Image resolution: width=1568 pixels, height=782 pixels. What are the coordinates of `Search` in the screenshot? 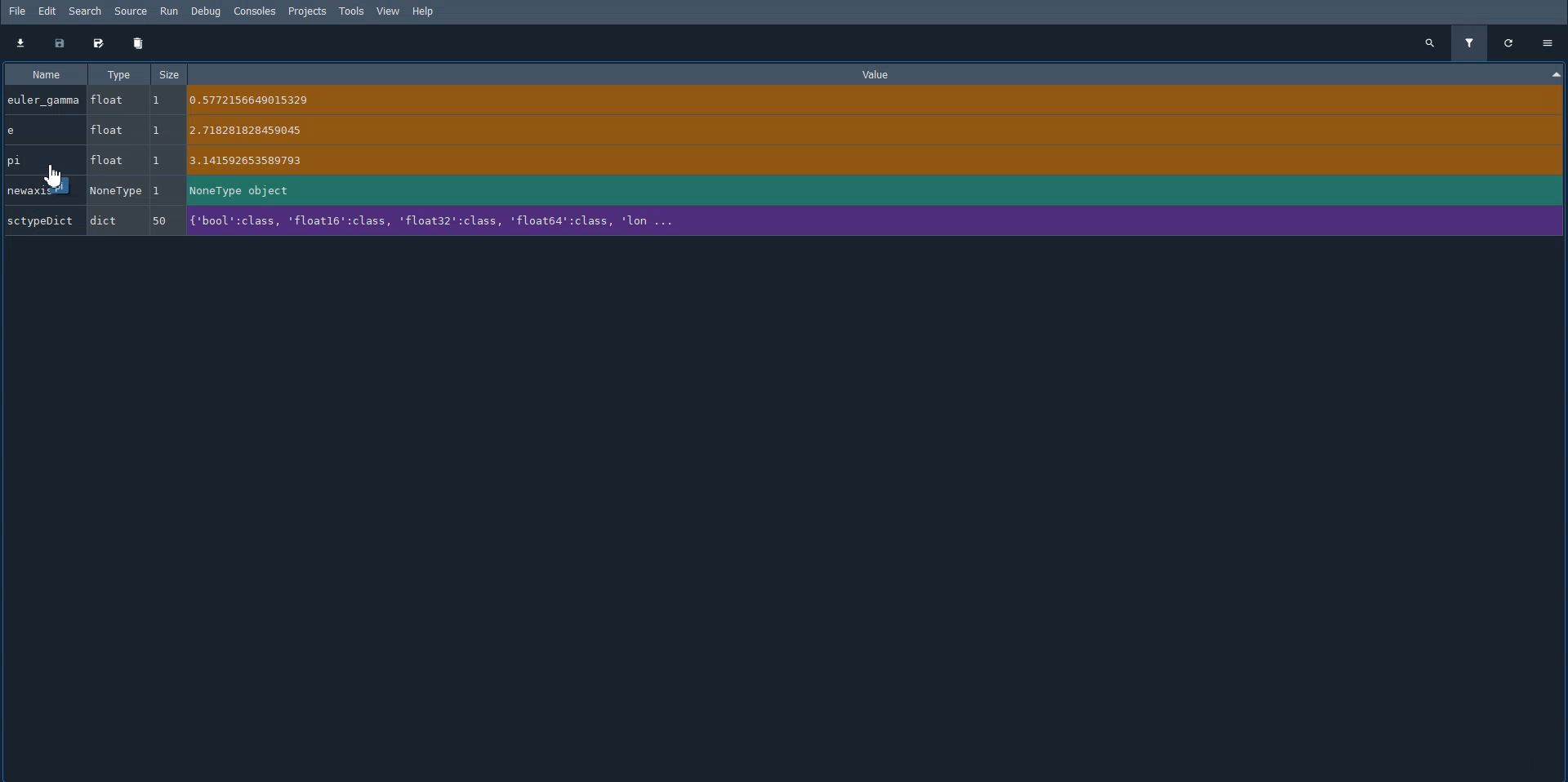 It's located at (86, 11).